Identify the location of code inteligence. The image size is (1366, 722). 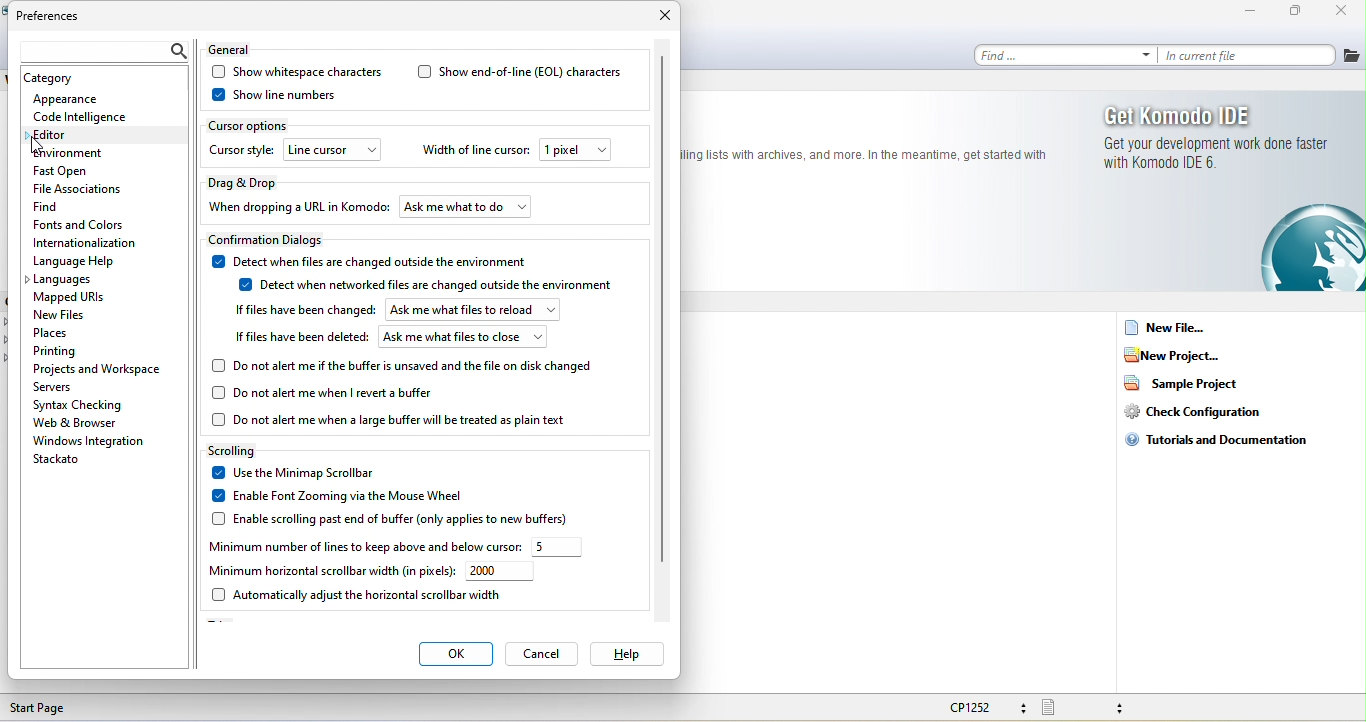
(80, 115).